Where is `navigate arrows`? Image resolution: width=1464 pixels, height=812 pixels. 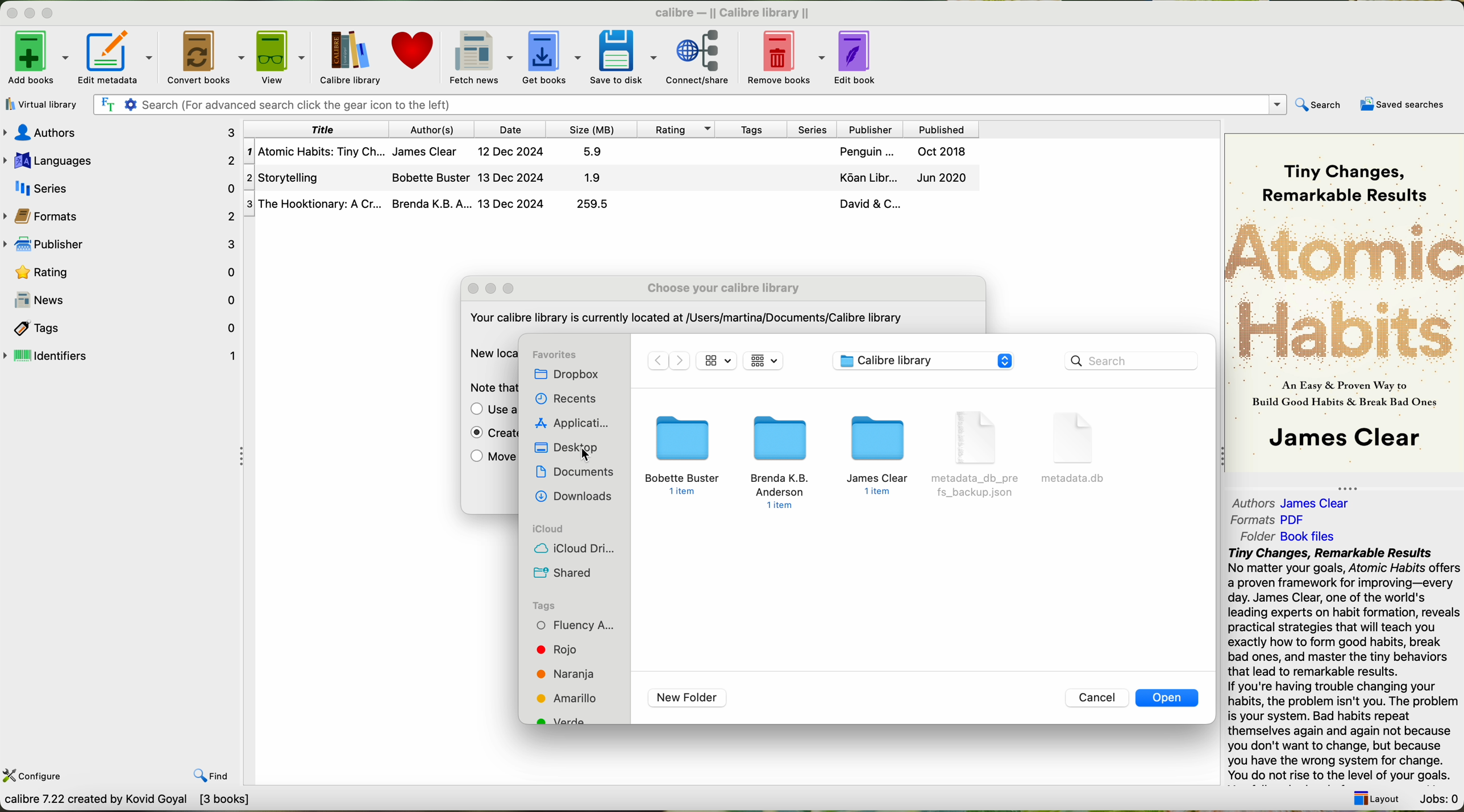
navigate arrows is located at coordinates (667, 361).